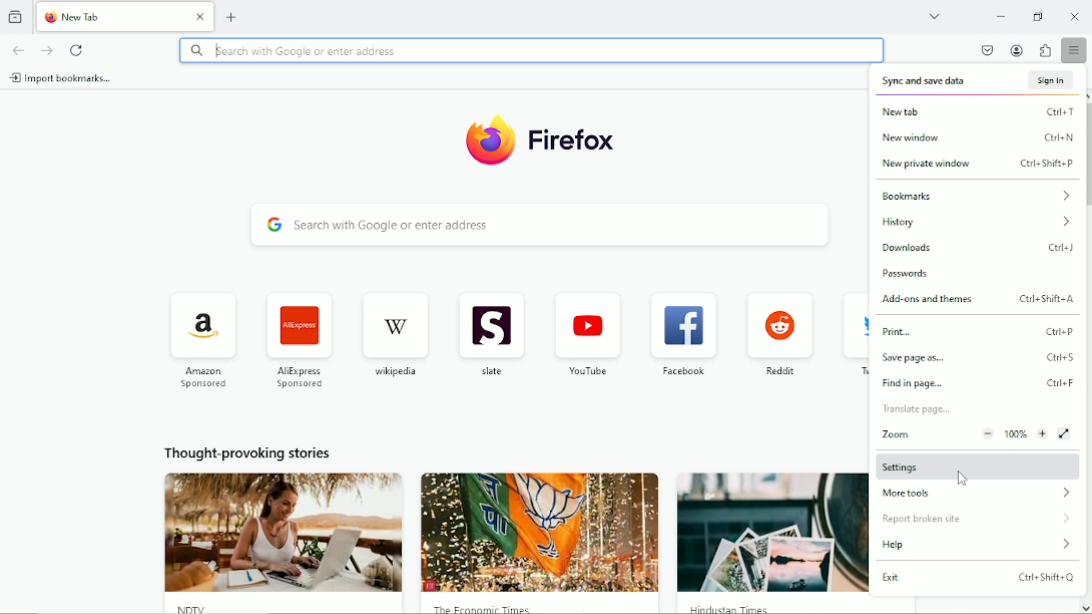 The width and height of the screenshot is (1092, 614). Describe the element at coordinates (1016, 50) in the screenshot. I see `account` at that location.